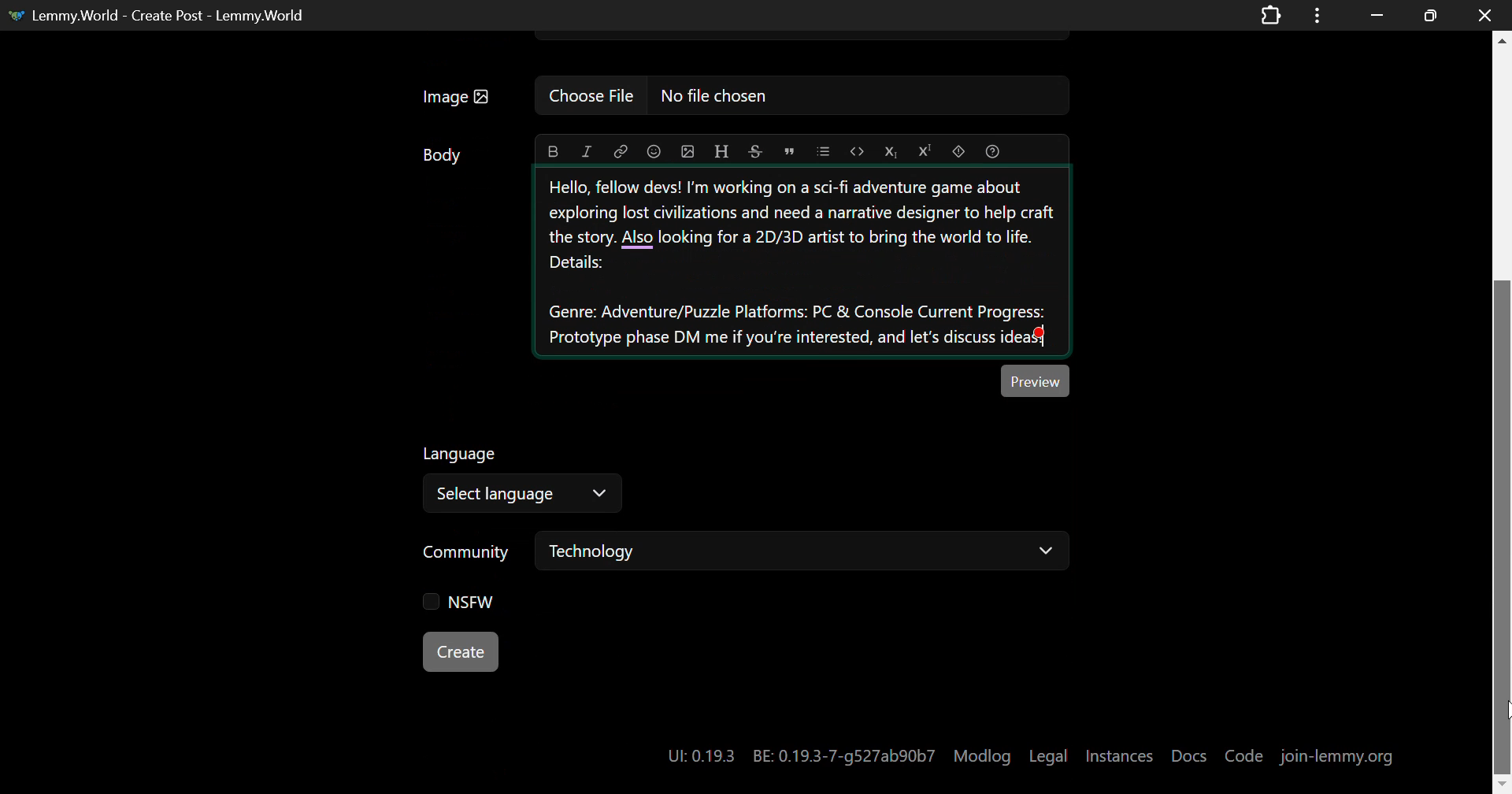  What do you see at coordinates (958, 151) in the screenshot?
I see `spoiler` at bounding box center [958, 151].